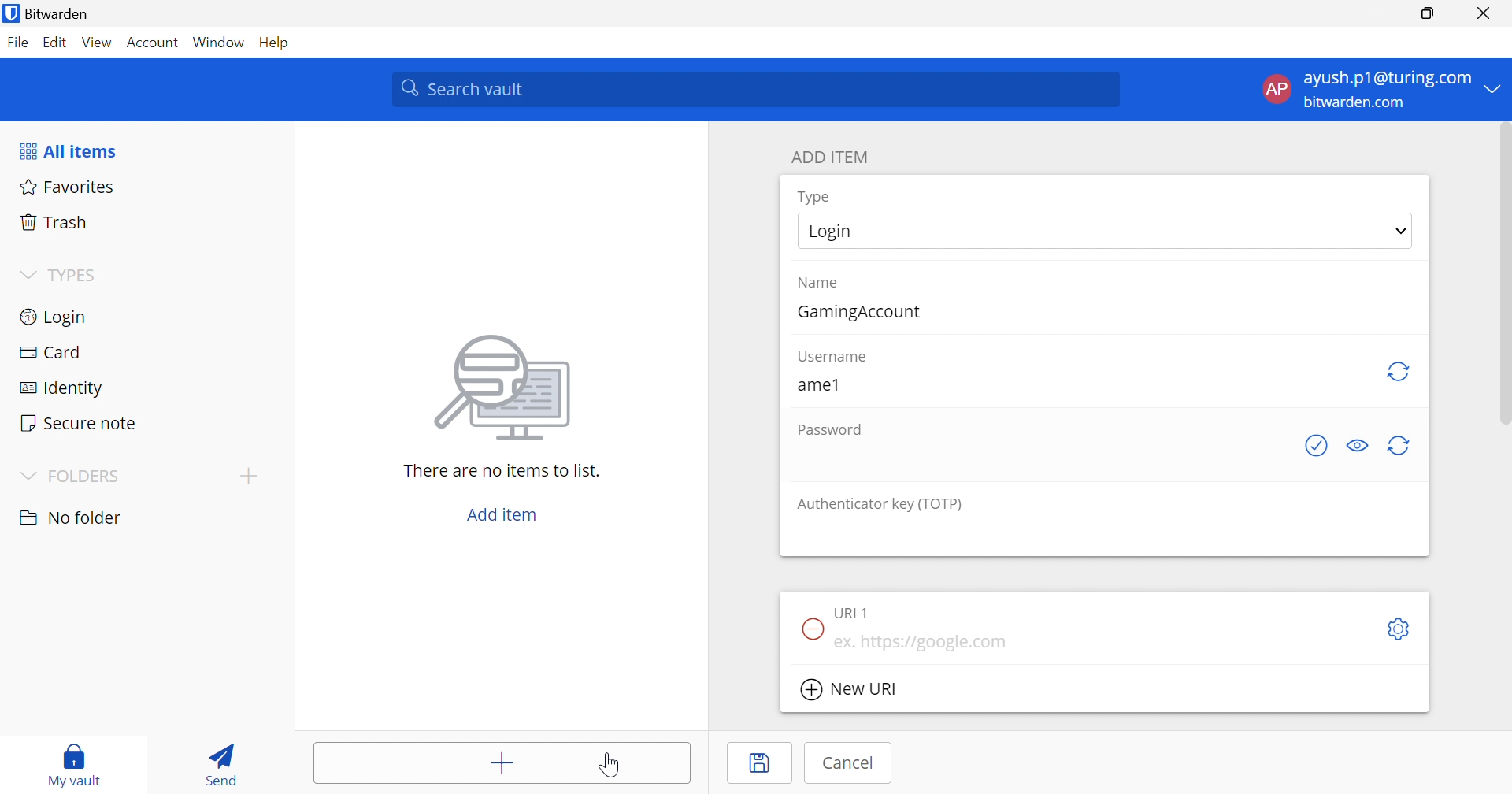  Describe the element at coordinates (87, 477) in the screenshot. I see `FOLDERS` at that location.